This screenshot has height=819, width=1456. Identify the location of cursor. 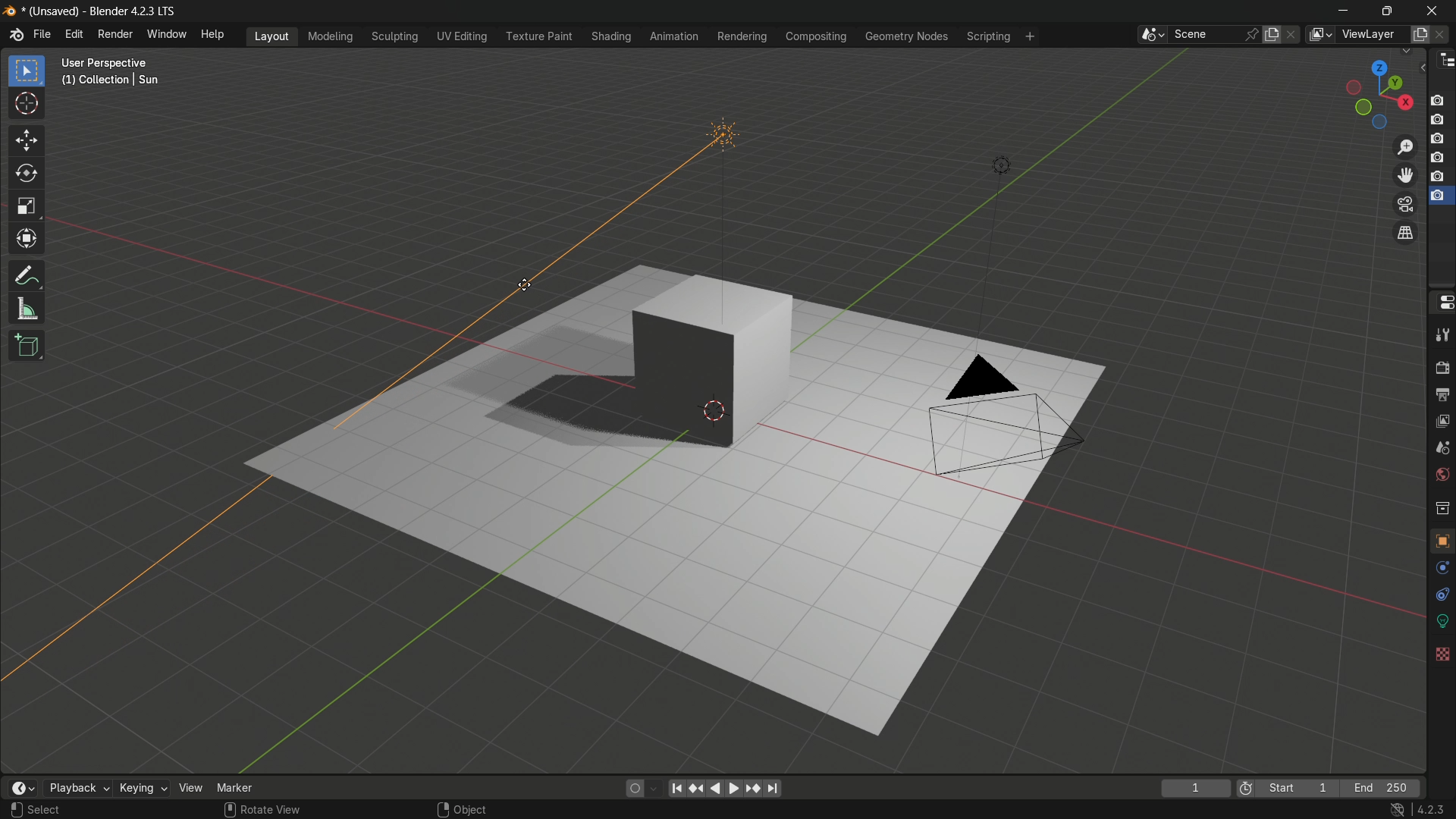
(526, 285).